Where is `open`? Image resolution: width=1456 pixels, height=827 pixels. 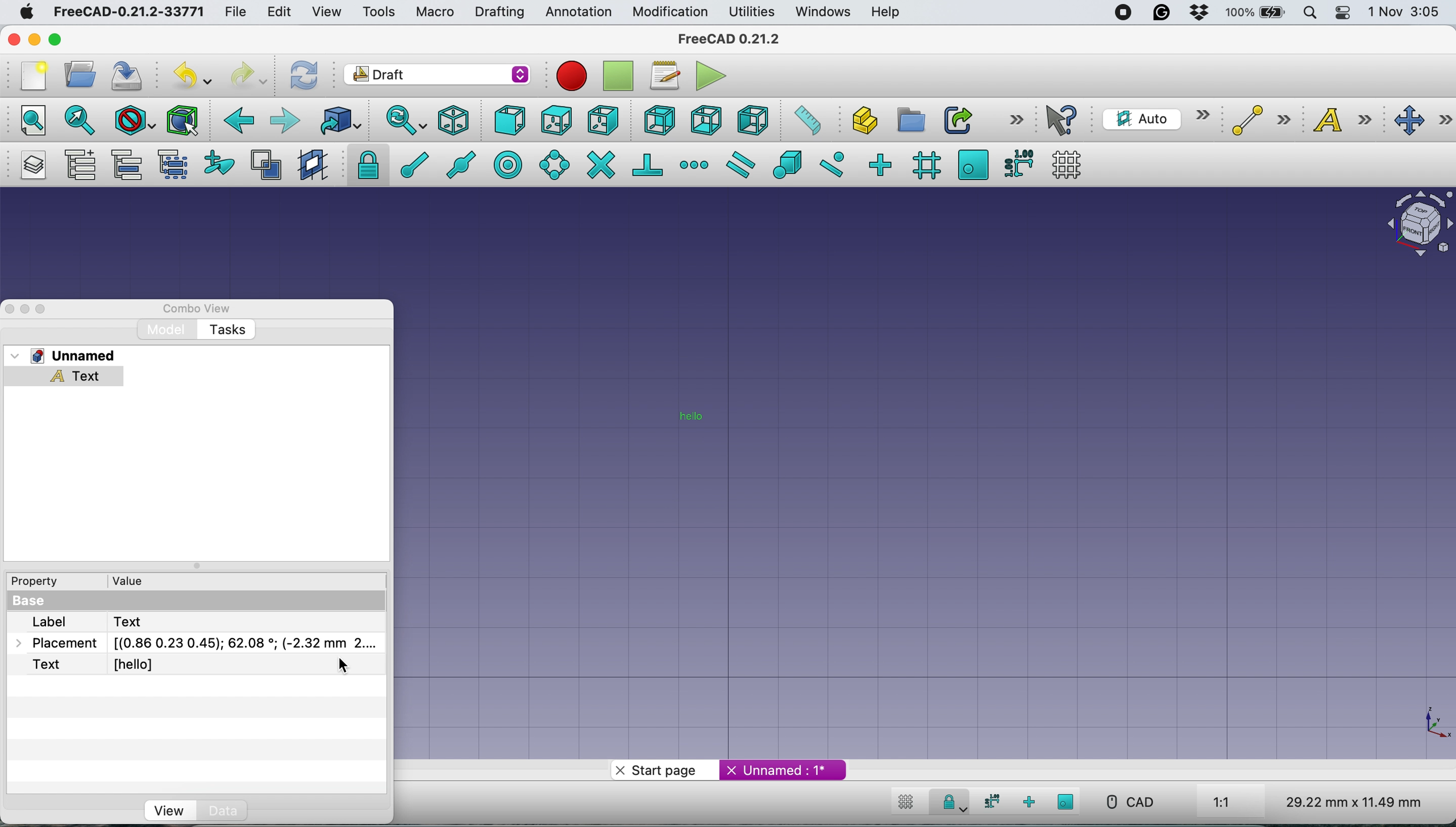 open is located at coordinates (78, 73).